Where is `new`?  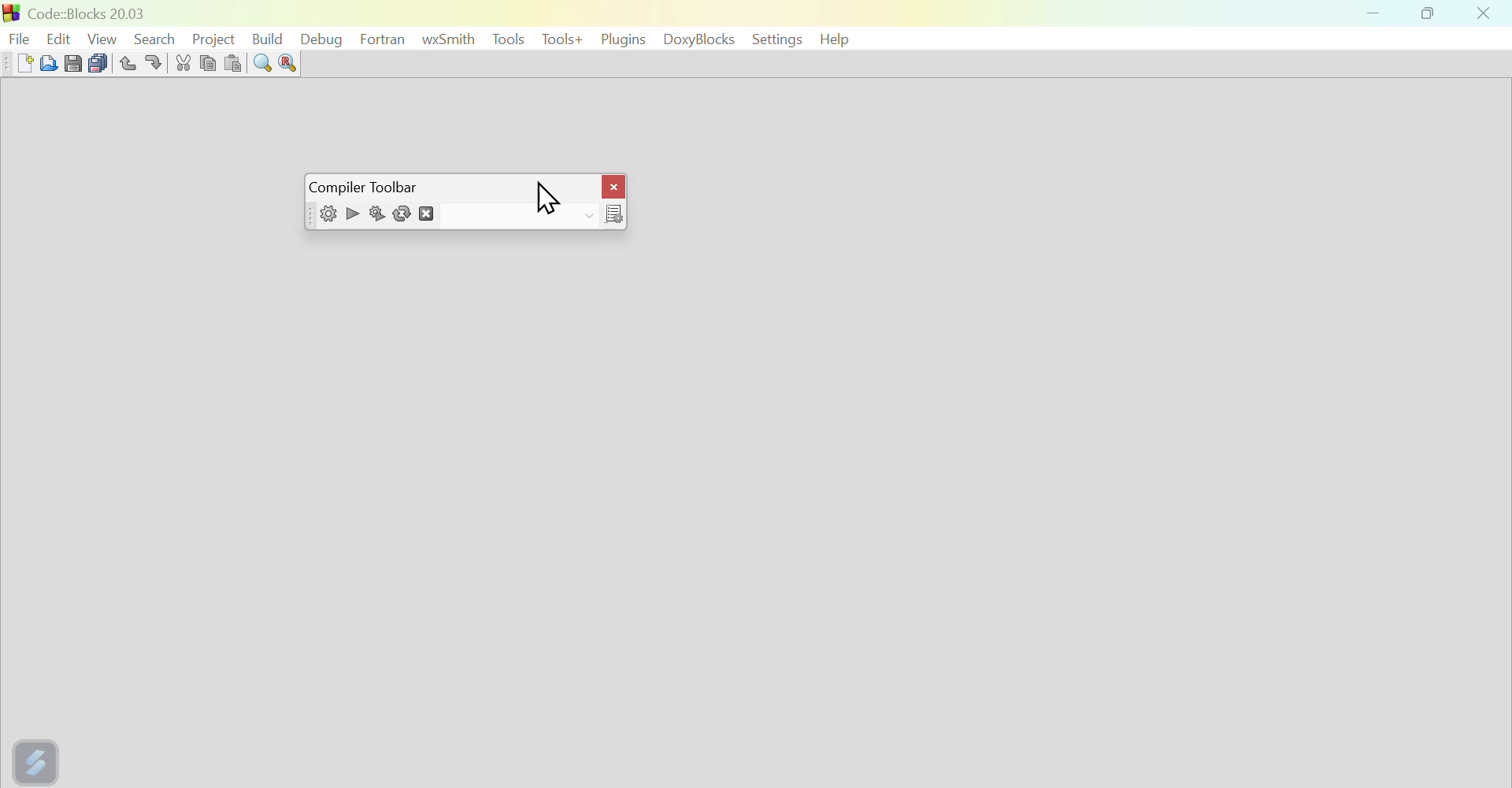 new is located at coordinates (16, 63).